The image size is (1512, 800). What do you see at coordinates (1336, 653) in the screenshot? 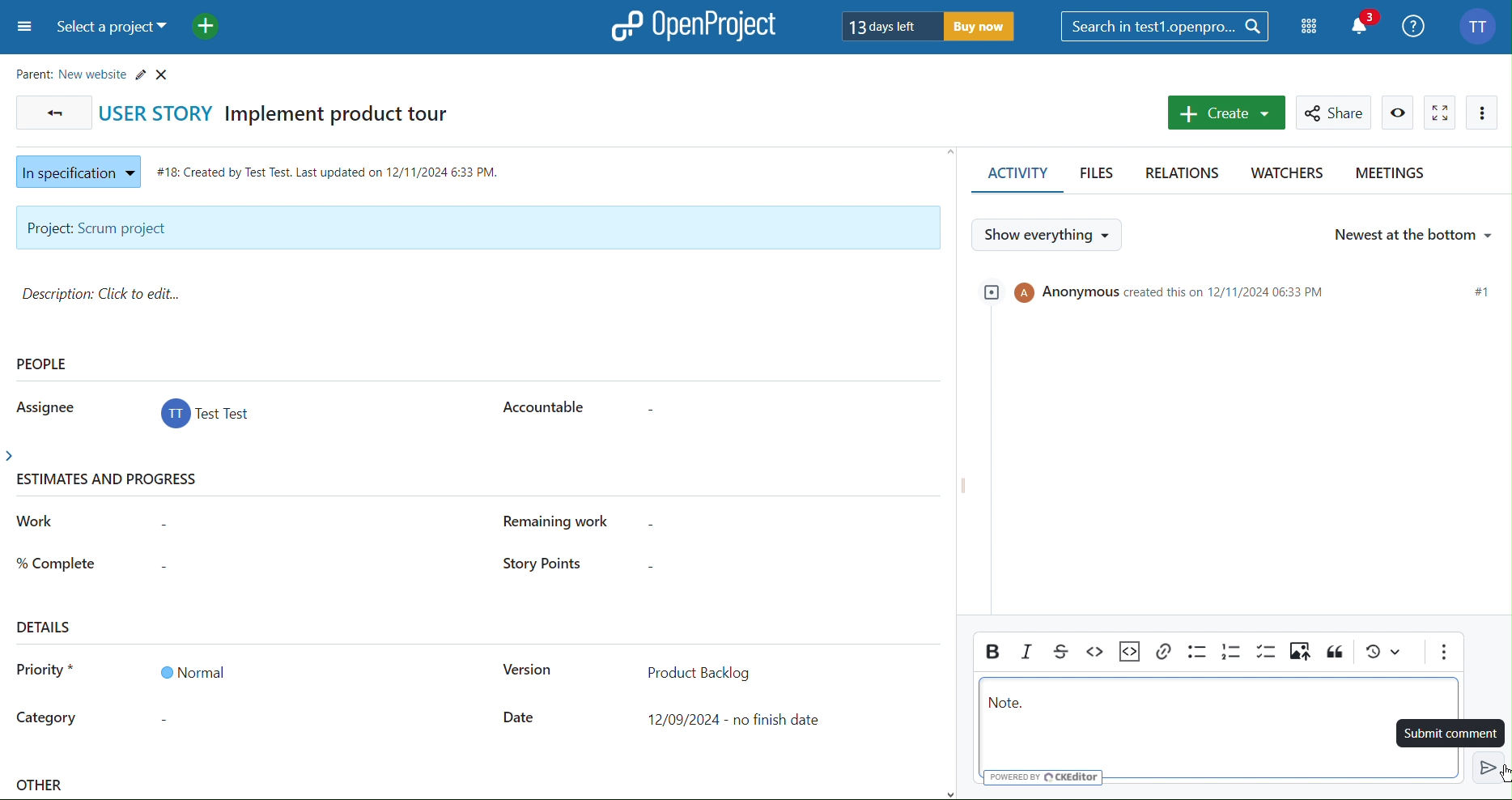
I see `Insert Quote` at bounding box center [1336, 653].